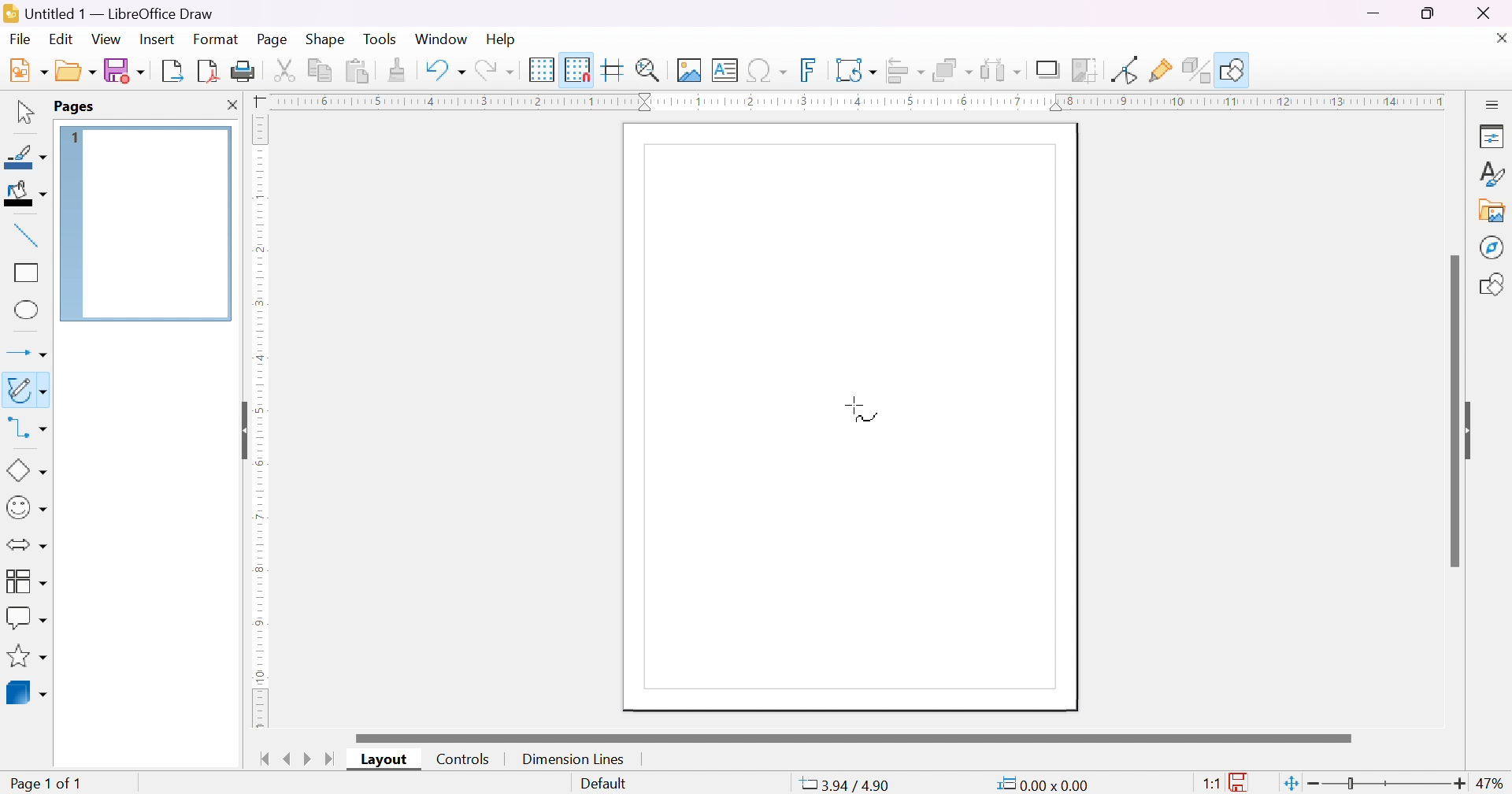  What do you see at coordinates (287, 70) in the screenshot?
I see `cut` at bounding box center [287, 70].